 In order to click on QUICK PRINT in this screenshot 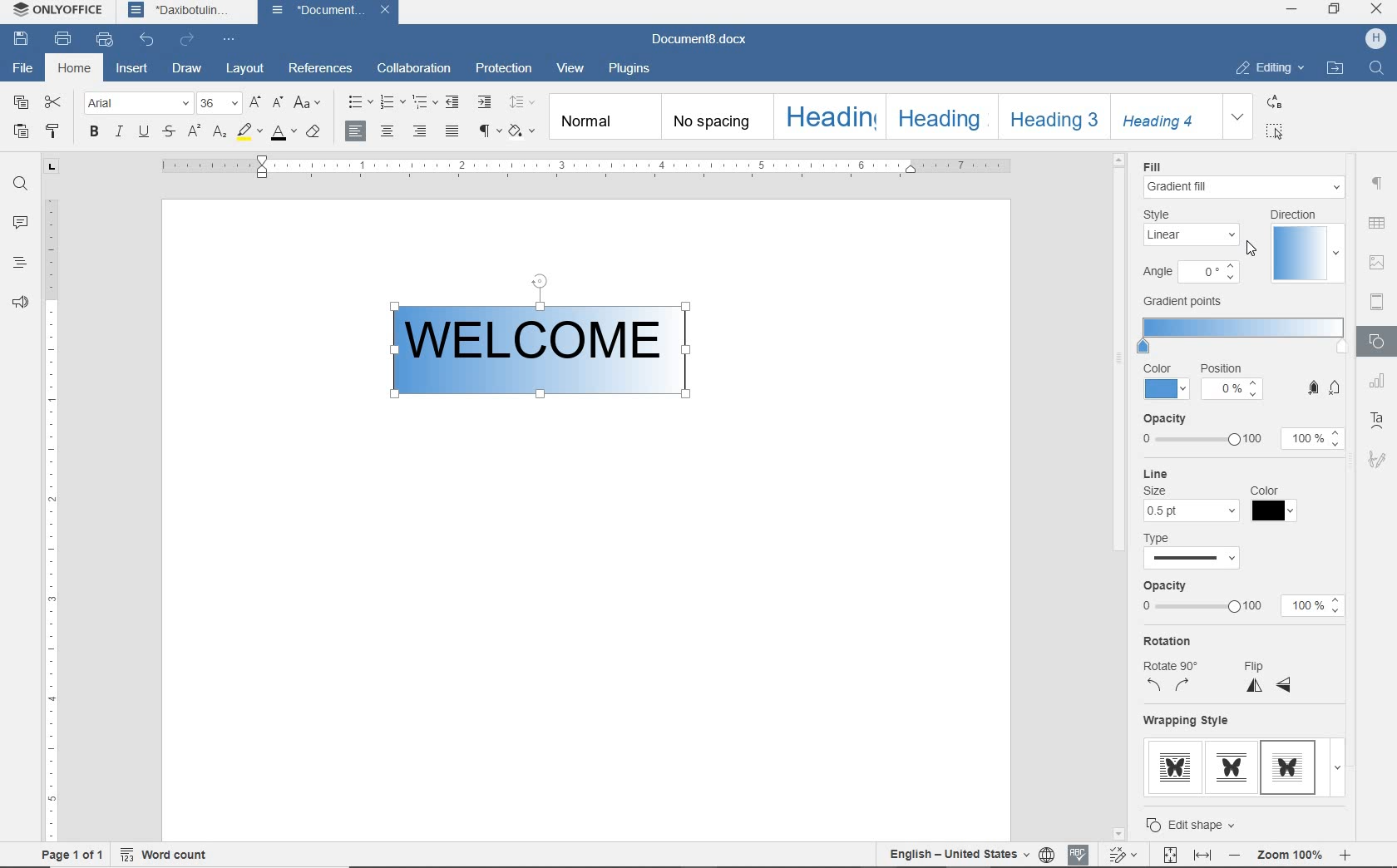, I will do `click(103, 40)`.